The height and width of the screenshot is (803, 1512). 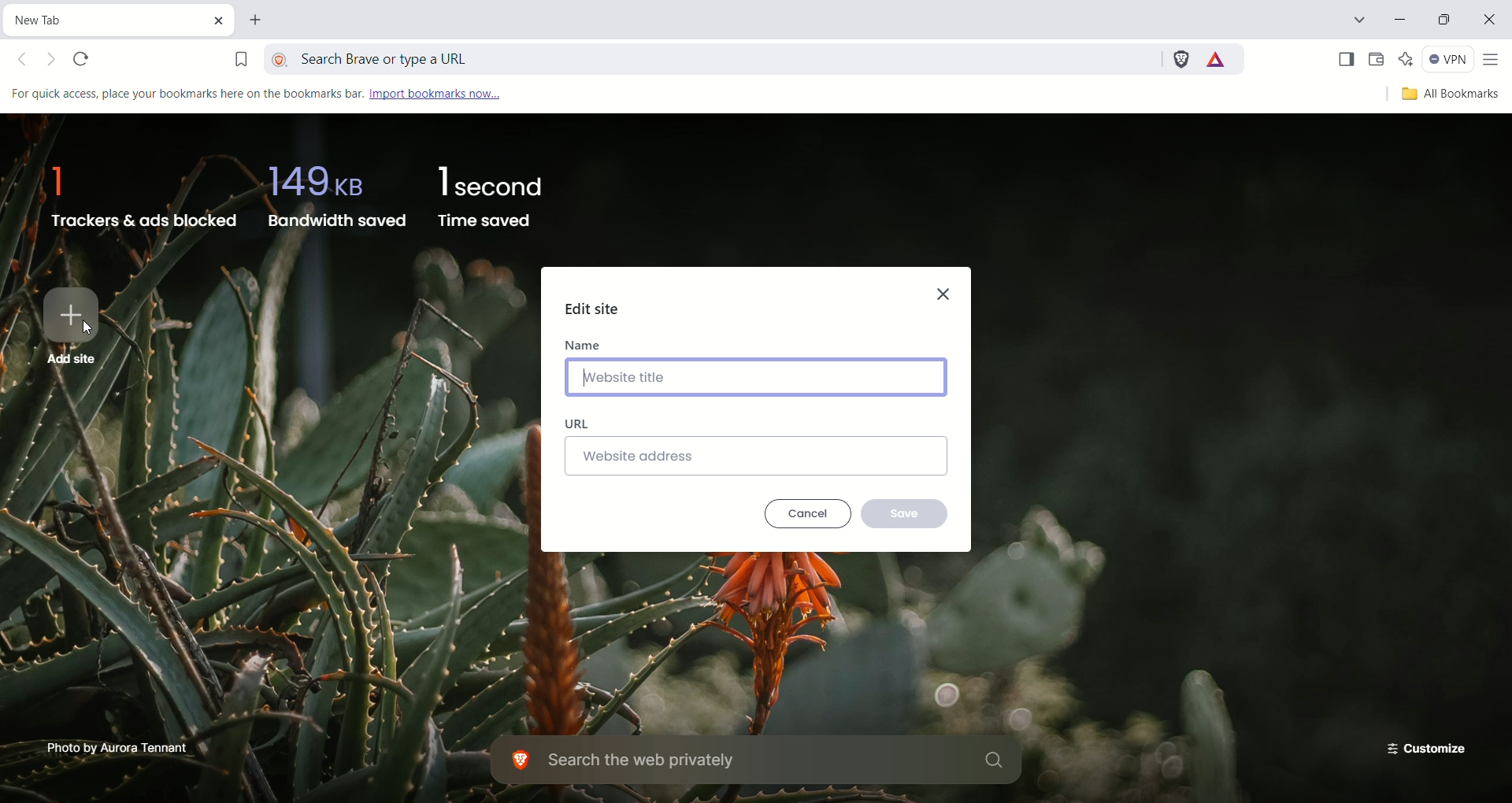 I want to click on search the web privately, so click(x=760, y=761).